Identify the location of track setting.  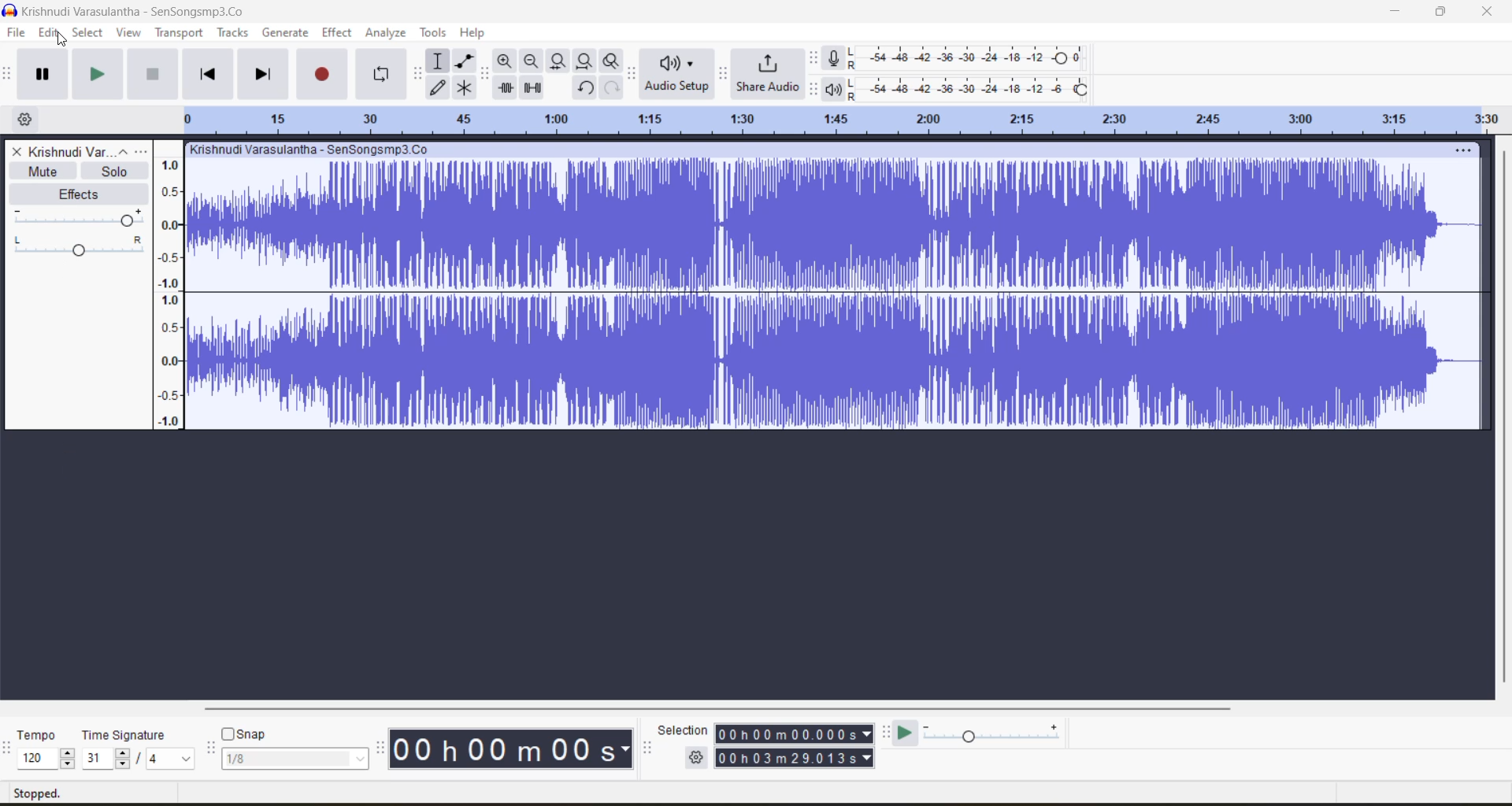
(1463, 150).